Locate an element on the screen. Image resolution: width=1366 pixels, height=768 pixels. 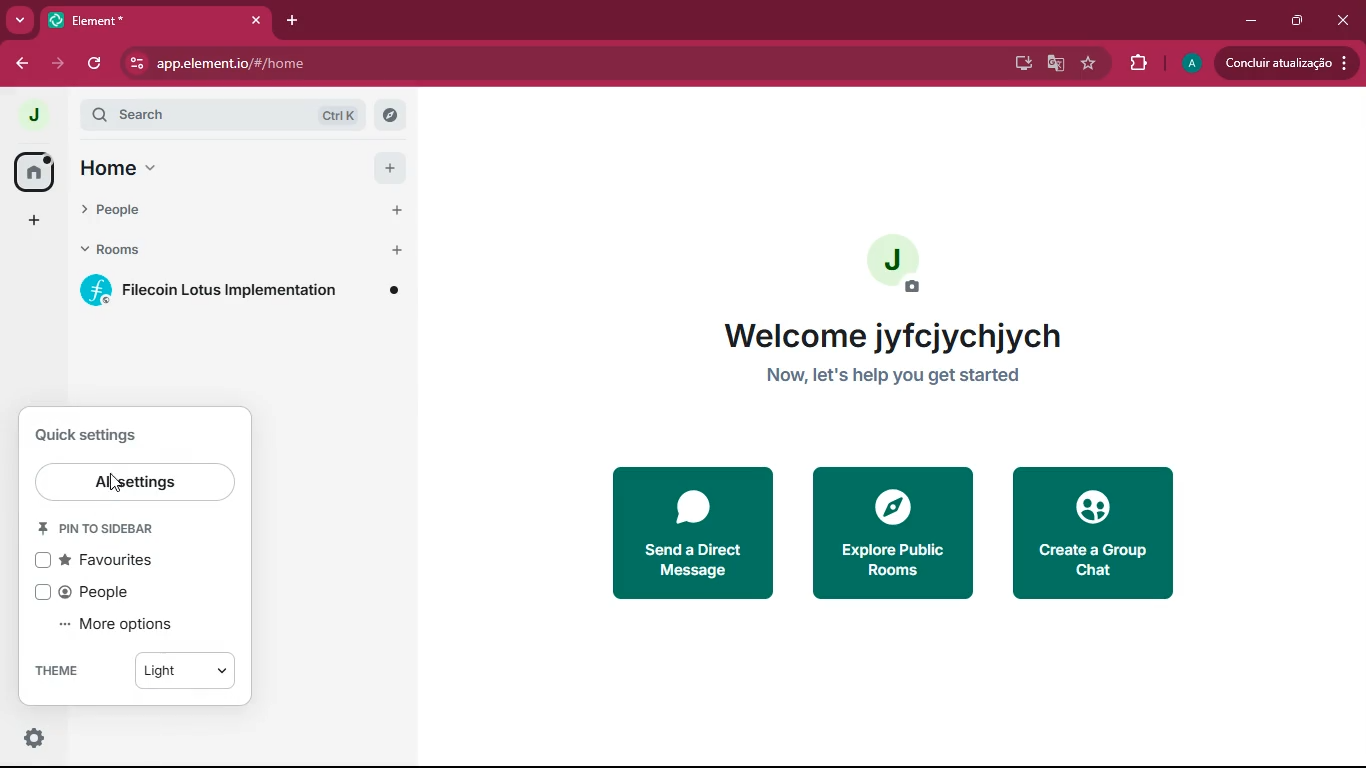
rooms is located at coordinates (184, 249).